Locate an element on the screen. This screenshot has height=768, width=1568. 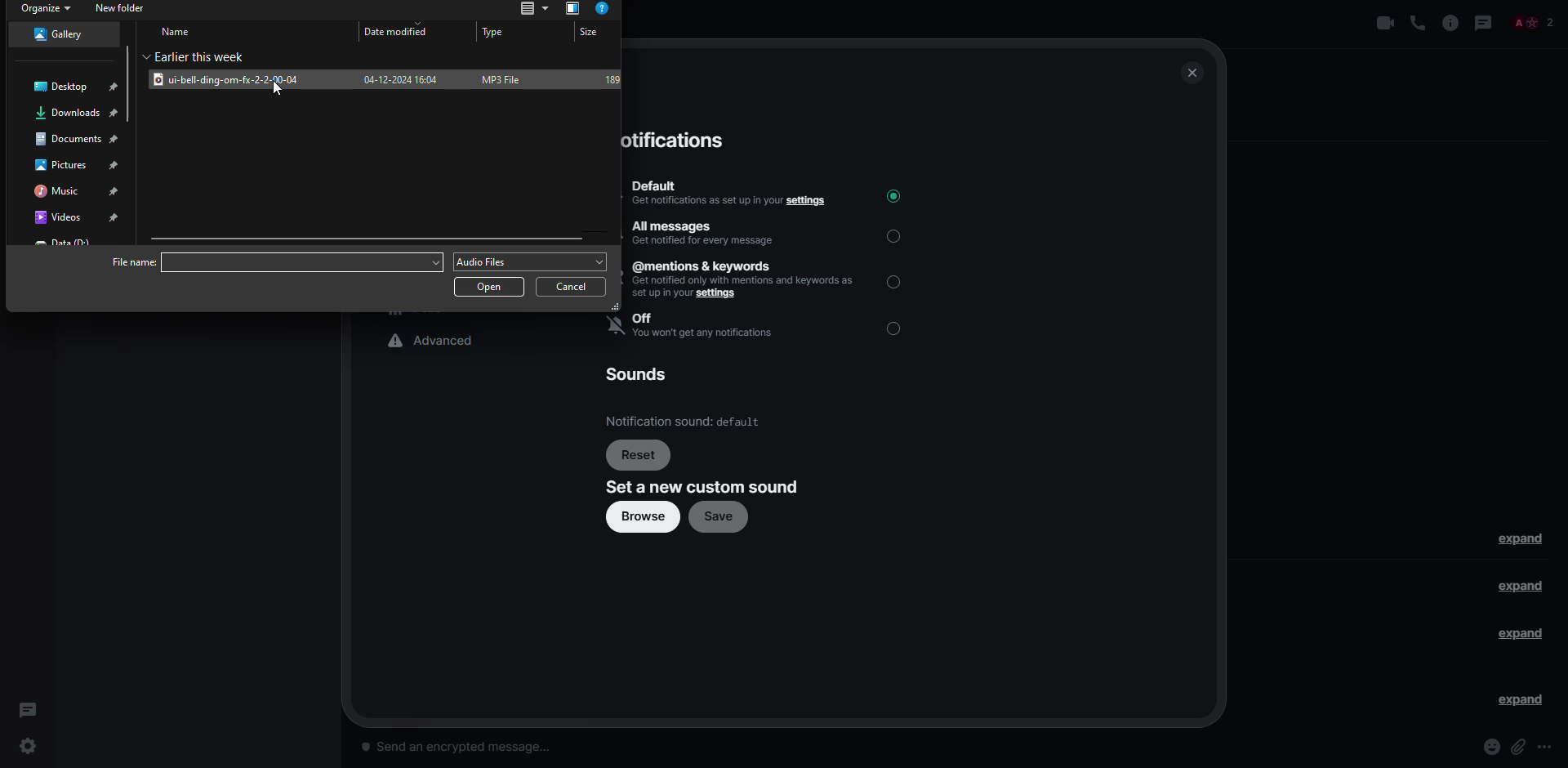
threads is located at coordinates (1483, 22).